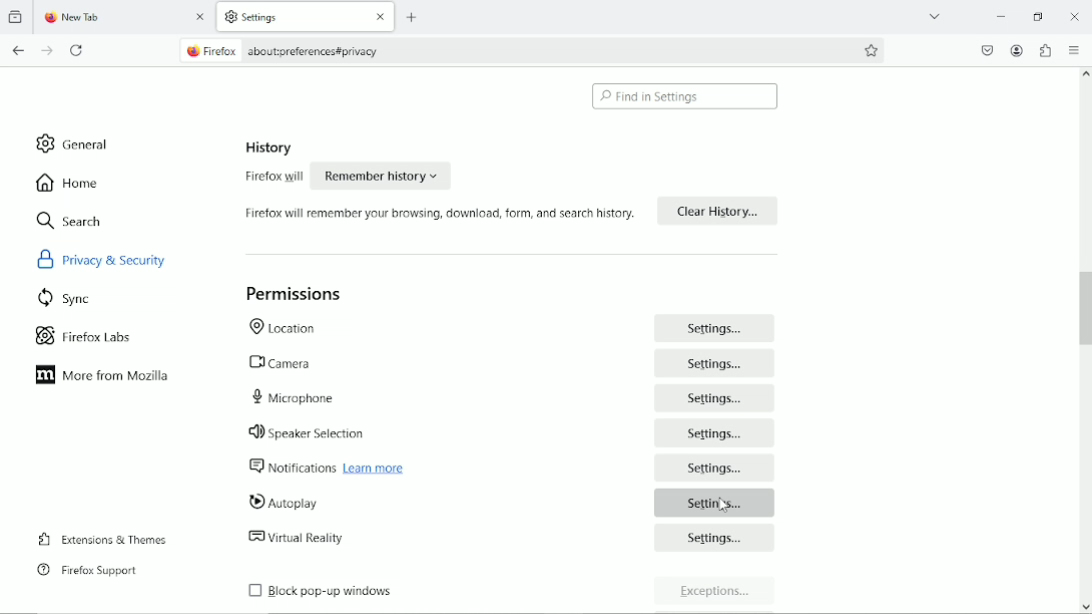 The height and width of the screenshot is (614, 1092). I want to click on search, so click(70, 220).